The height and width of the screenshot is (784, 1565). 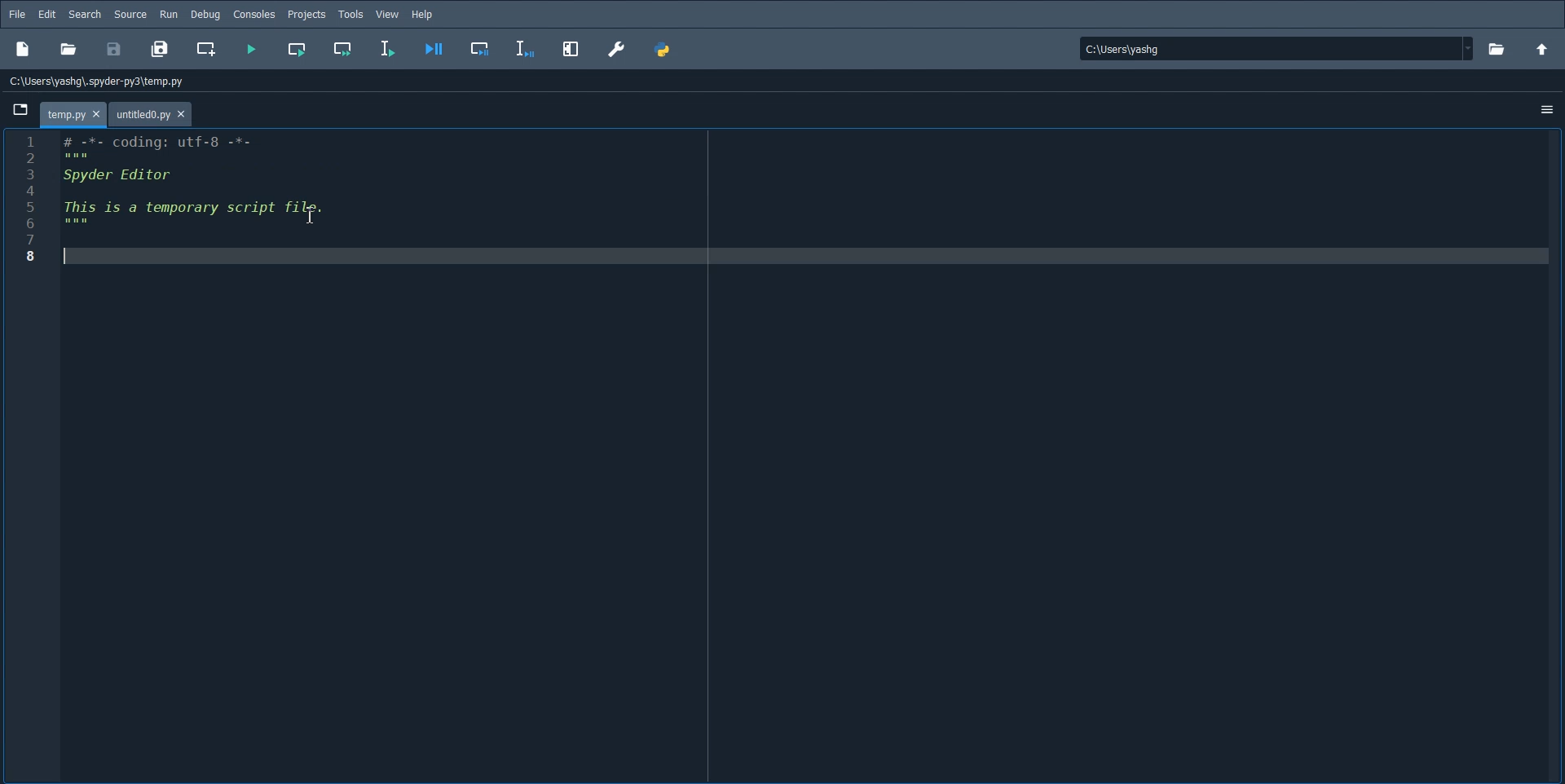 What do you see at coordinates (666, 51) in the screenshot?
I see `PYTHONPATH Manager` at bounding box center [666, 51].